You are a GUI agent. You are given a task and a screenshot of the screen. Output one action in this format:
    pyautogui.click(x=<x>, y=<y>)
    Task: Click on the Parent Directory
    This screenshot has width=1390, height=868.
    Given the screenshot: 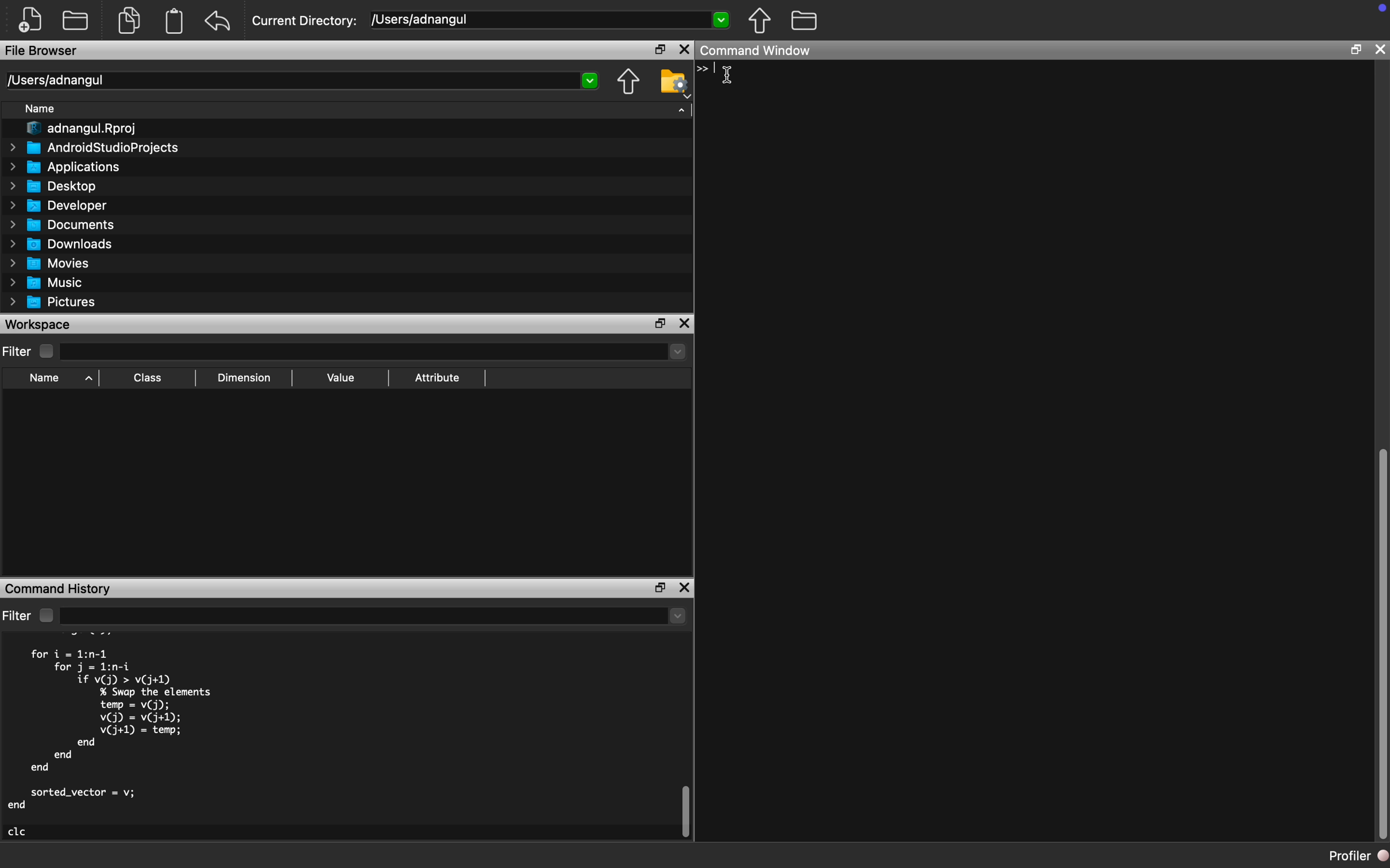 What is the action you would take?
    pyautogui.click(x=760, y=21)
    